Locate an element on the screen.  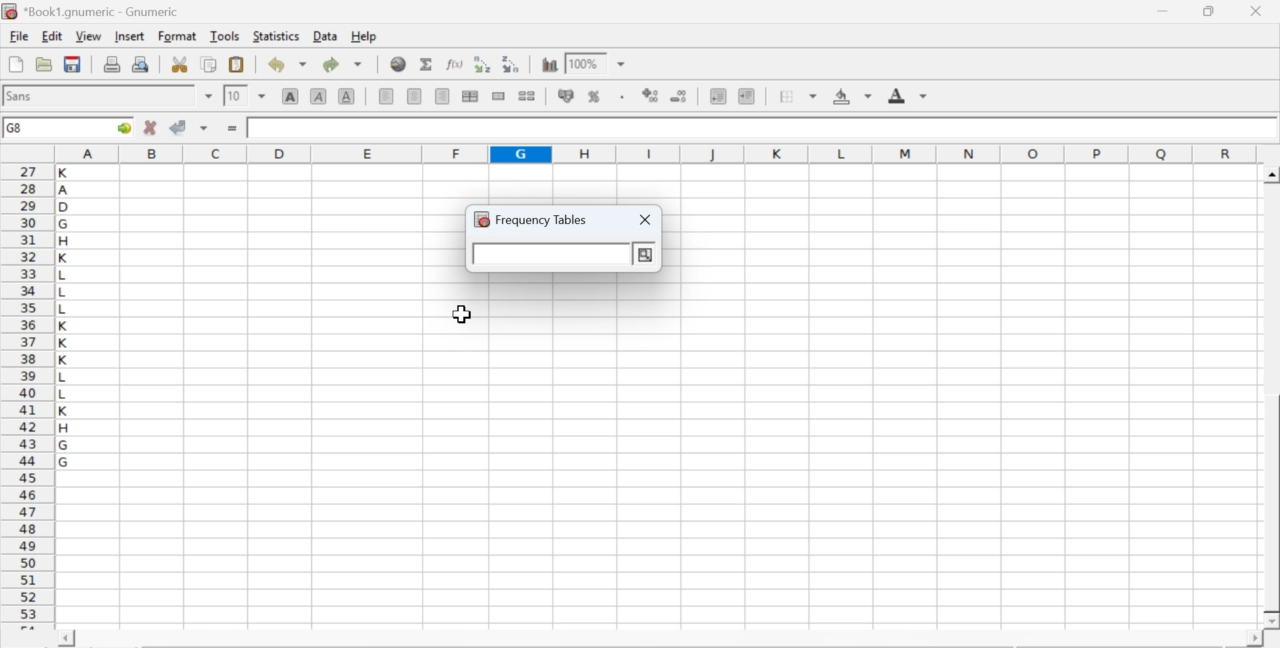
cut is located at coordinates (179, 64).